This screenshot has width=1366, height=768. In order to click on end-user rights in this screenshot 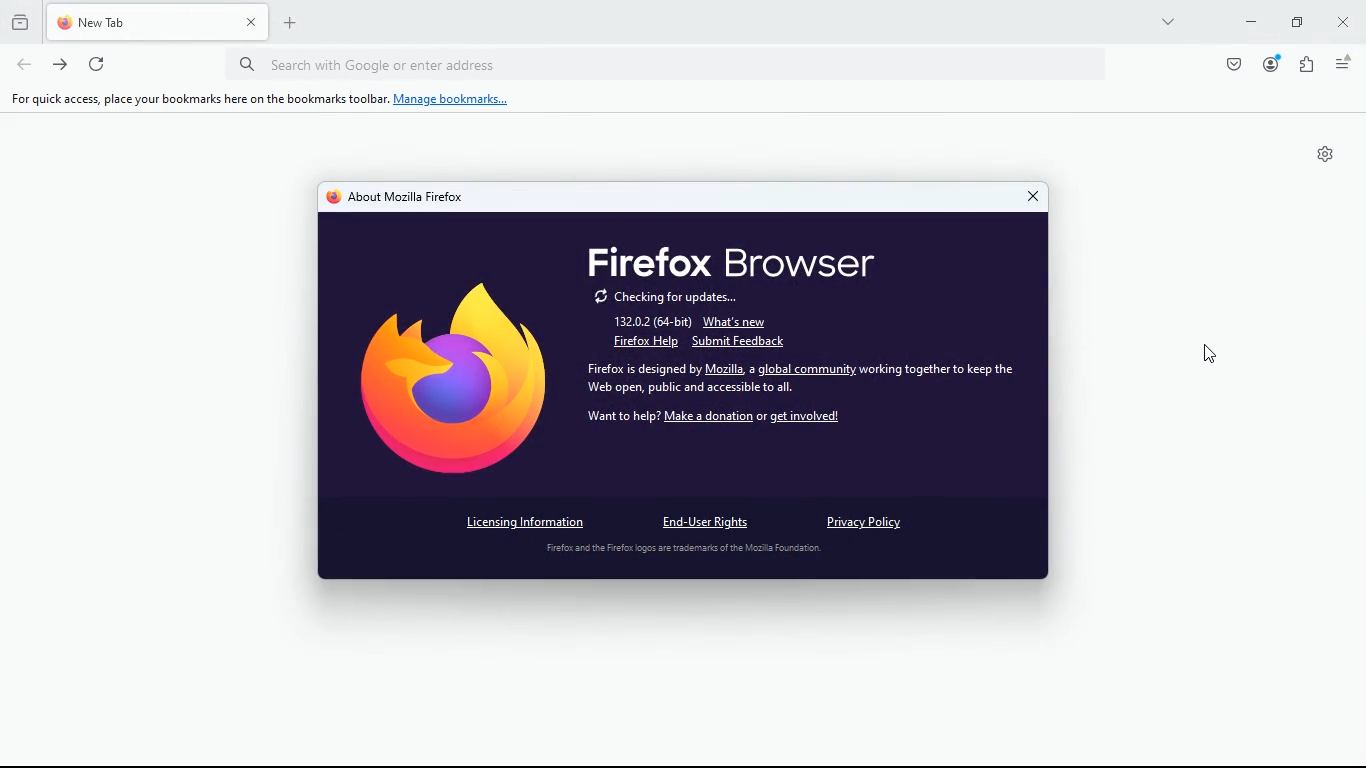, I will do `click(706, 519)`.